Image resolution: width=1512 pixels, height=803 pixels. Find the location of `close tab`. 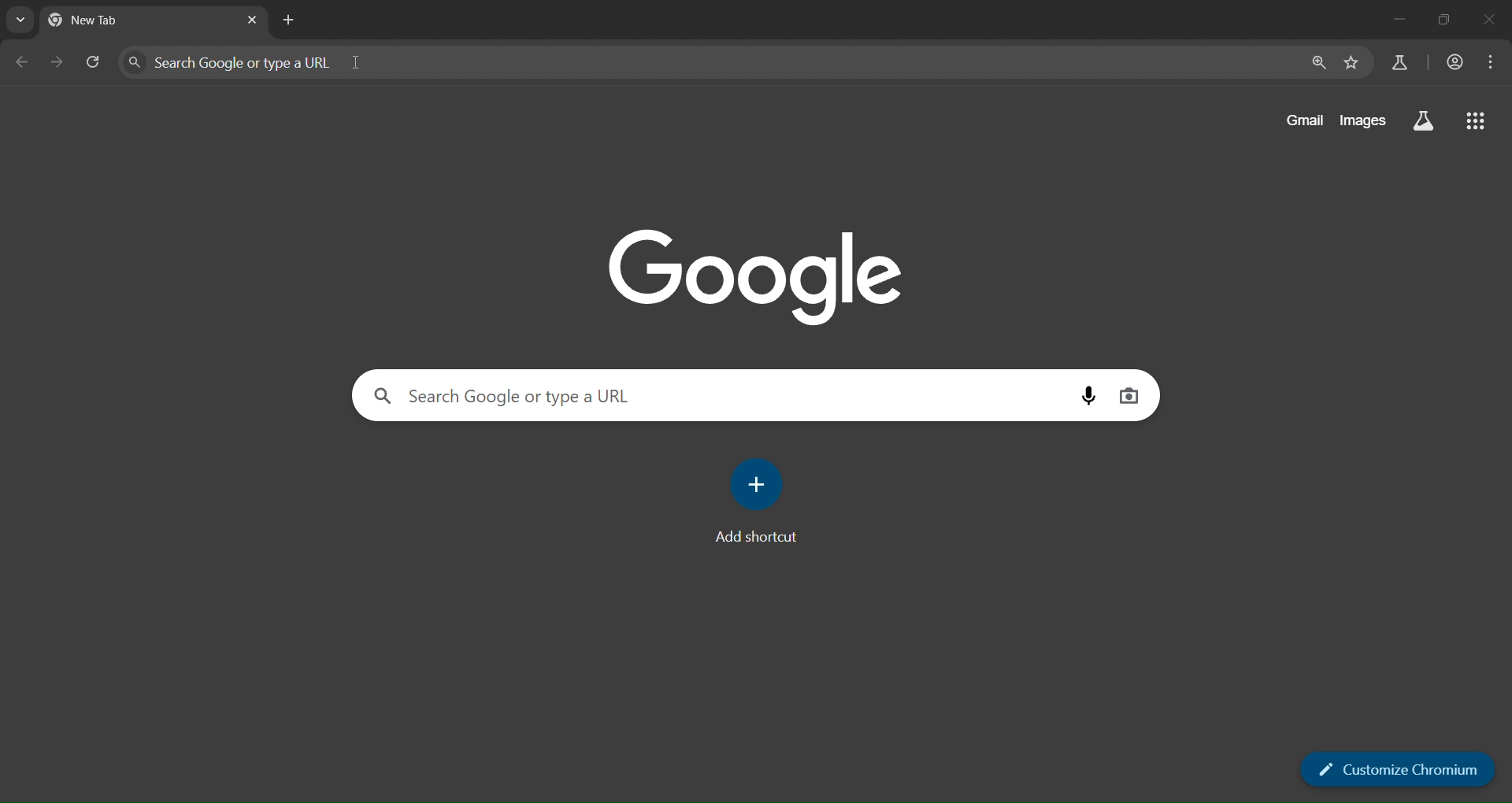

close tab is located at coordinates (253, 19).